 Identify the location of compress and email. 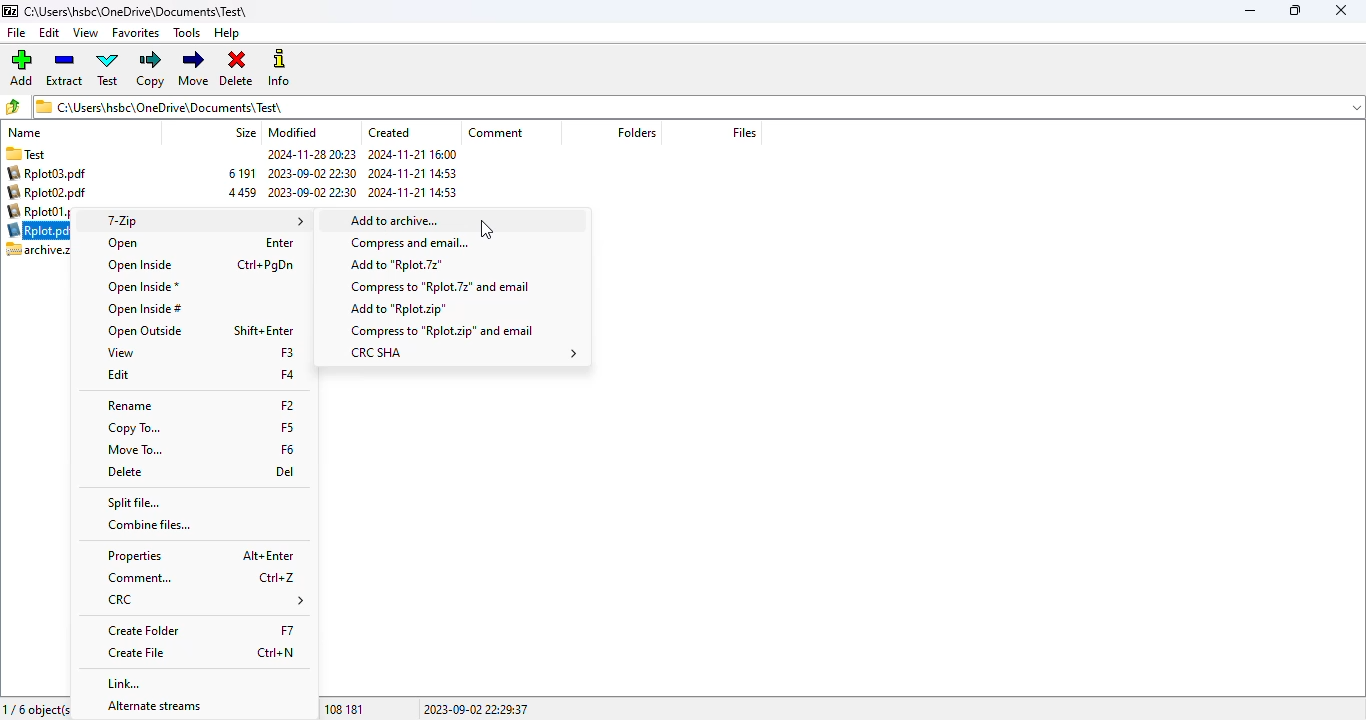
(412, 243).